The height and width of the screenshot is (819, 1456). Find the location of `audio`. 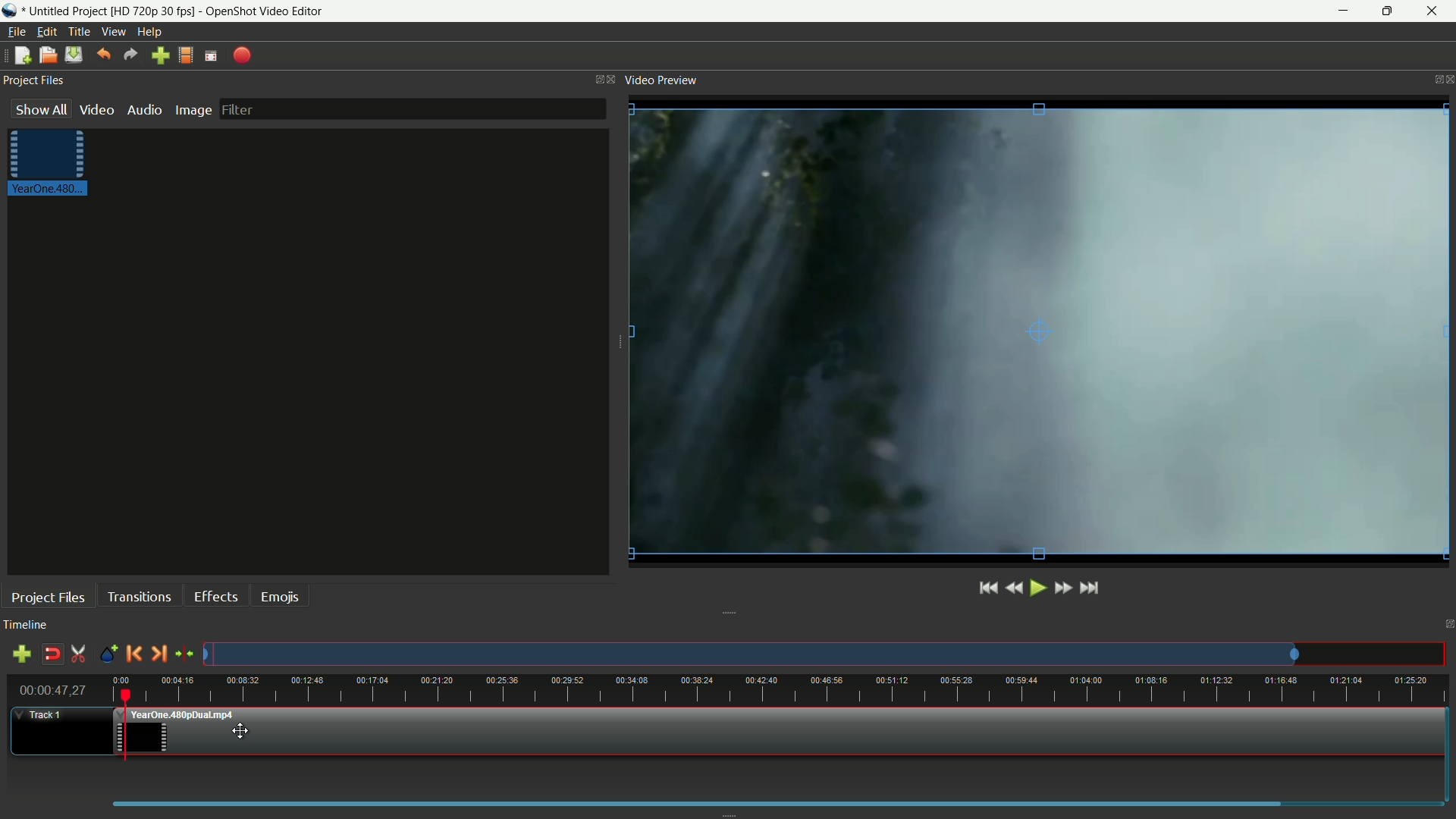

audio is located at coordinates (143, 109).